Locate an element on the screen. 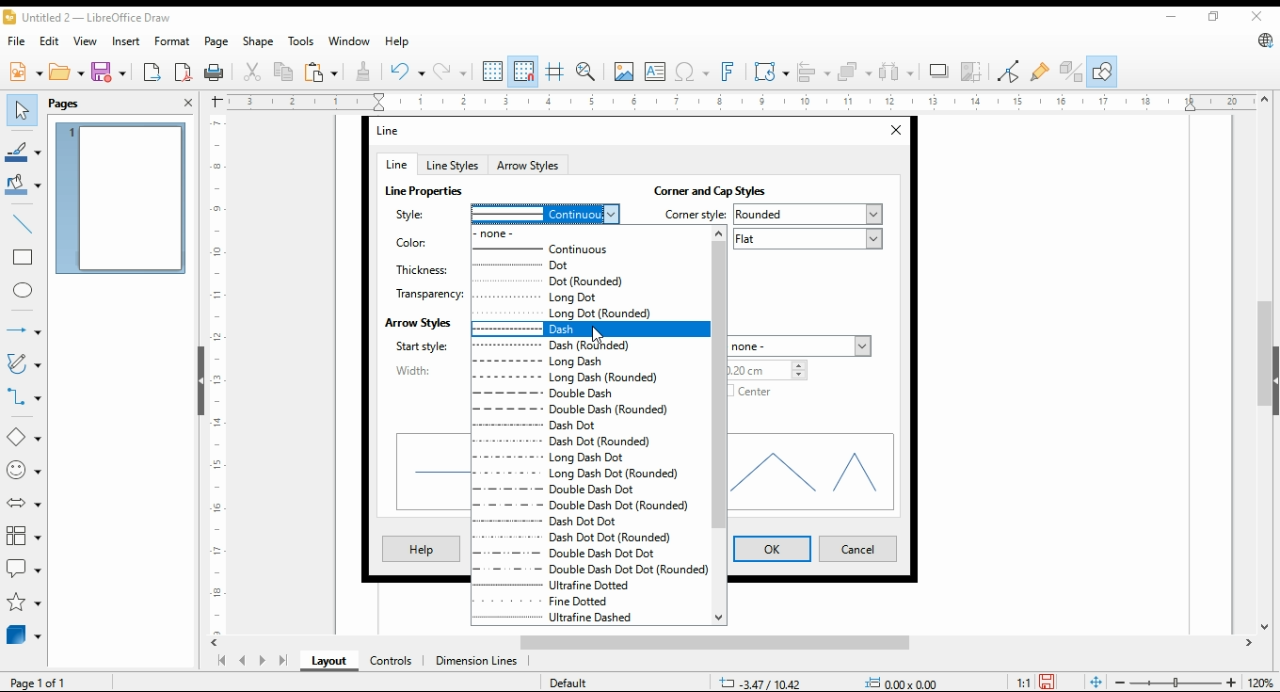 This screenshot has height=692, width=1280. simple shapes is located at coordinates (25, 436).